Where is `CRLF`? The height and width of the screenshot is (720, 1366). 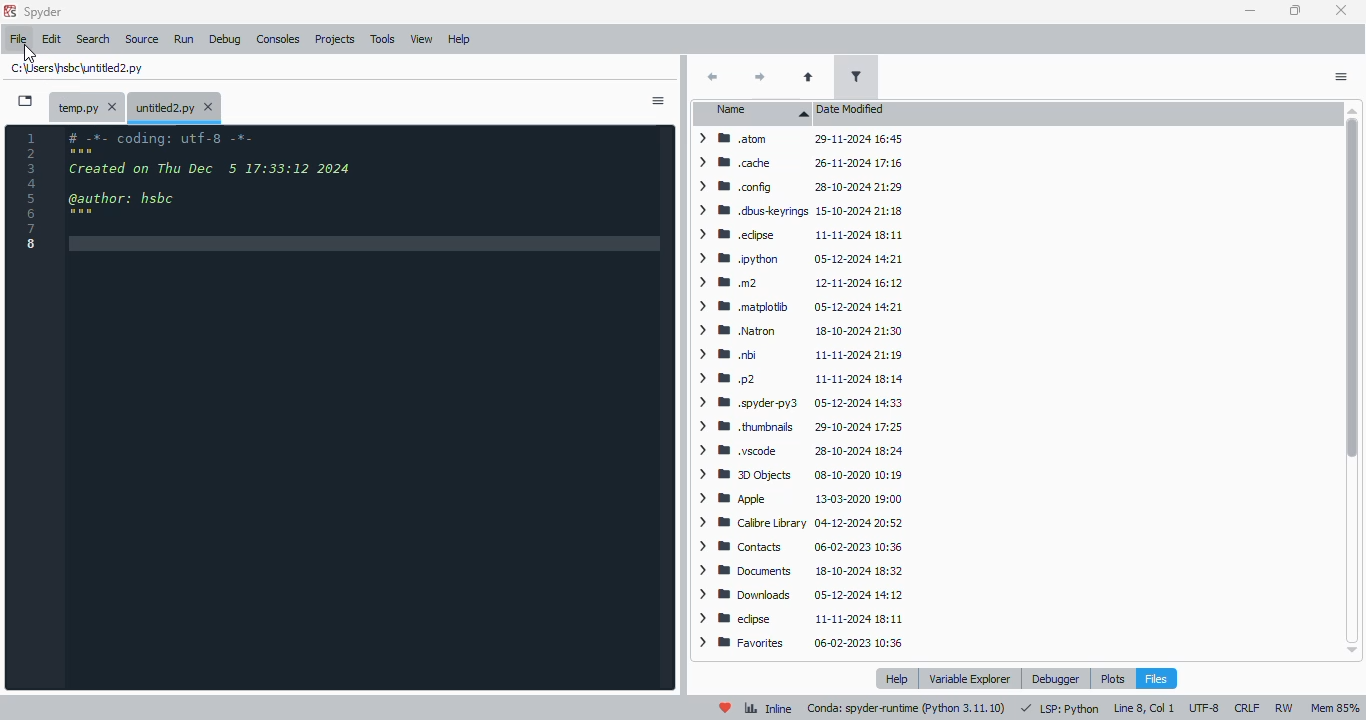
CRLF is located at coordinates (1247, 708).